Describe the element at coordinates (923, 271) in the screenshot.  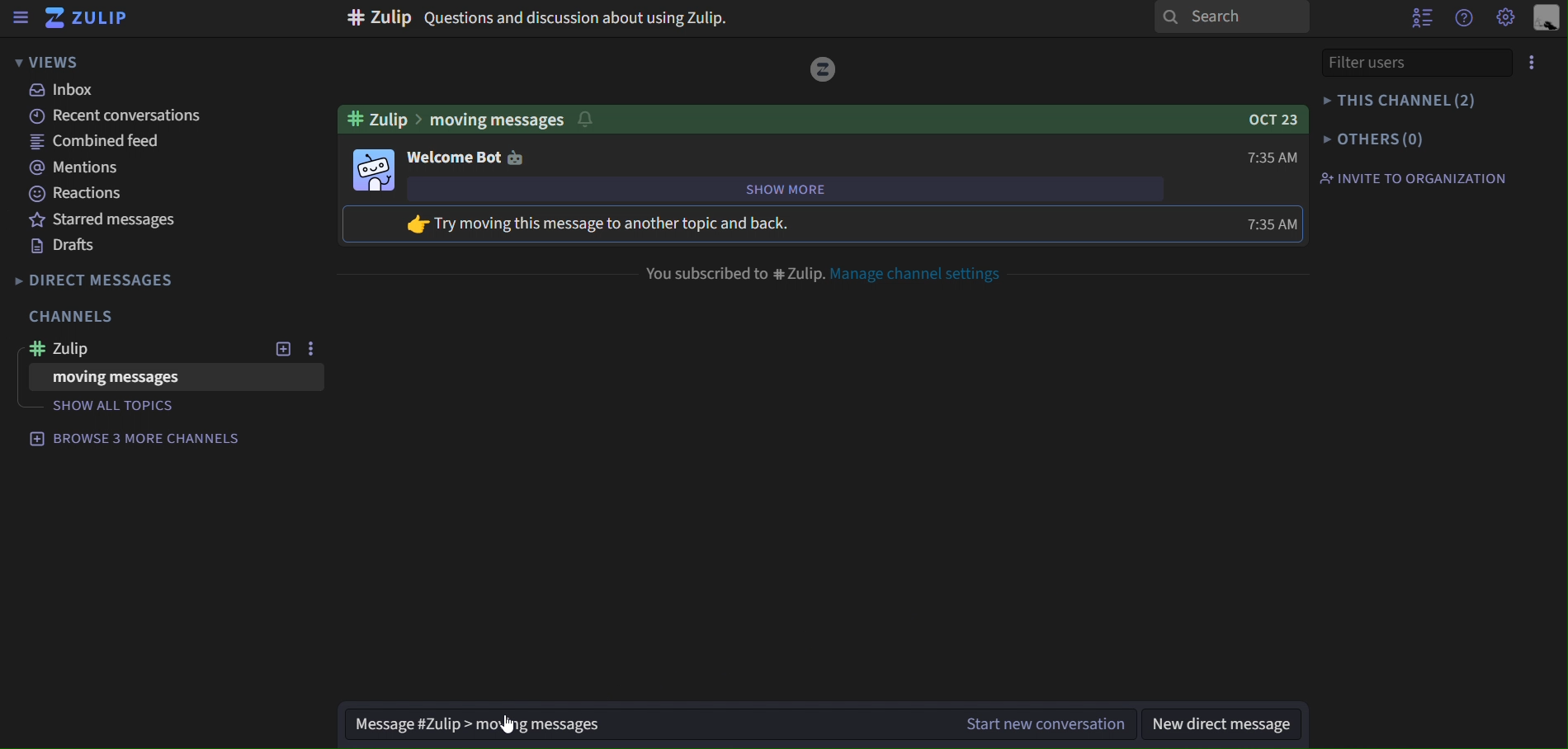
I see `manage channel settings` at that location.